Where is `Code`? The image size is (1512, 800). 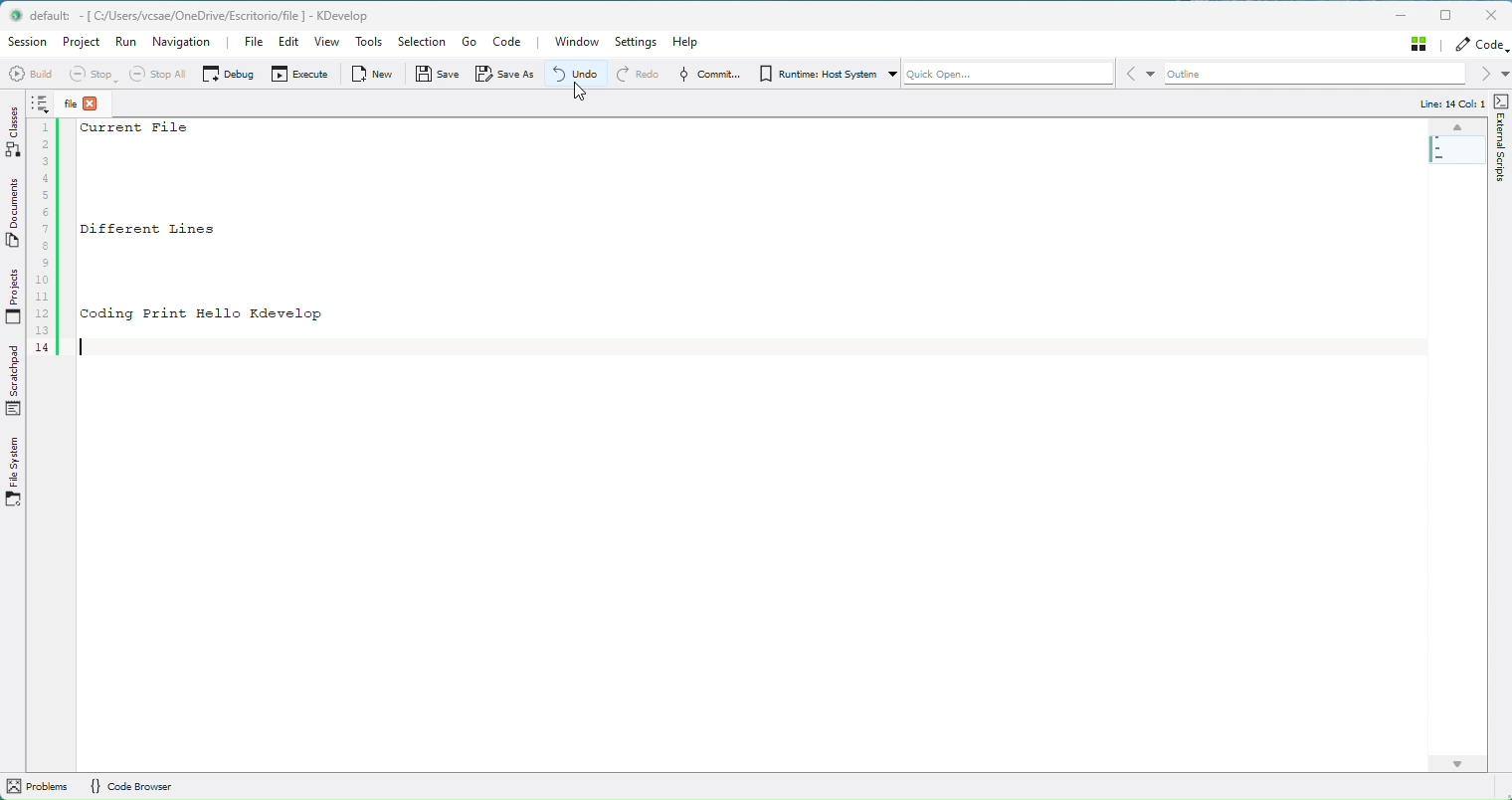 Code is located at coordinates (512, 43).